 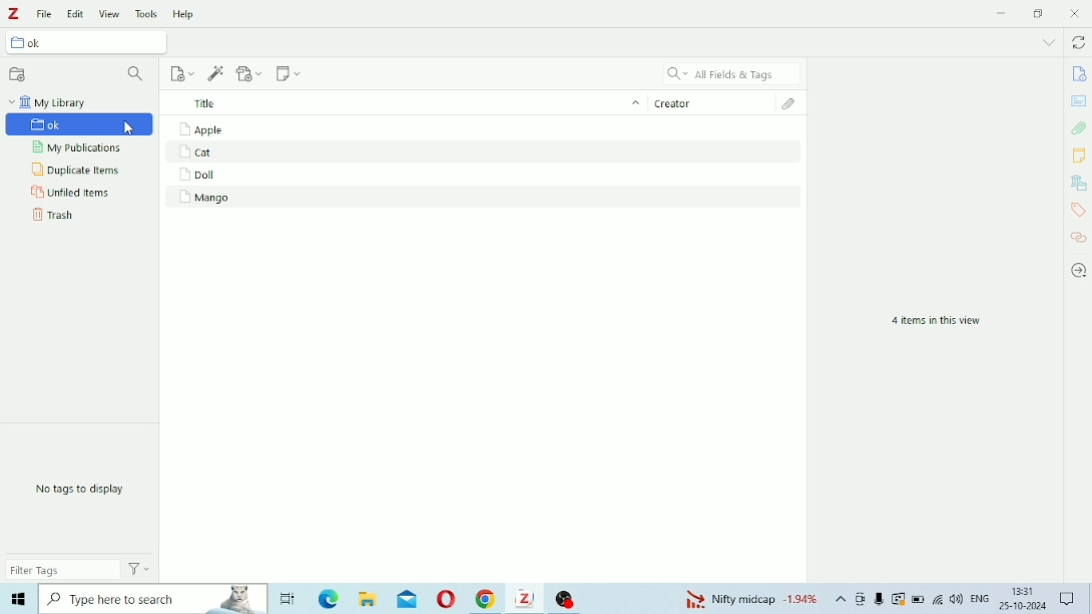 What do you see at coordinates (879, 598) in the screenshot?
I see `Mic` at bounding box center [879, 598].